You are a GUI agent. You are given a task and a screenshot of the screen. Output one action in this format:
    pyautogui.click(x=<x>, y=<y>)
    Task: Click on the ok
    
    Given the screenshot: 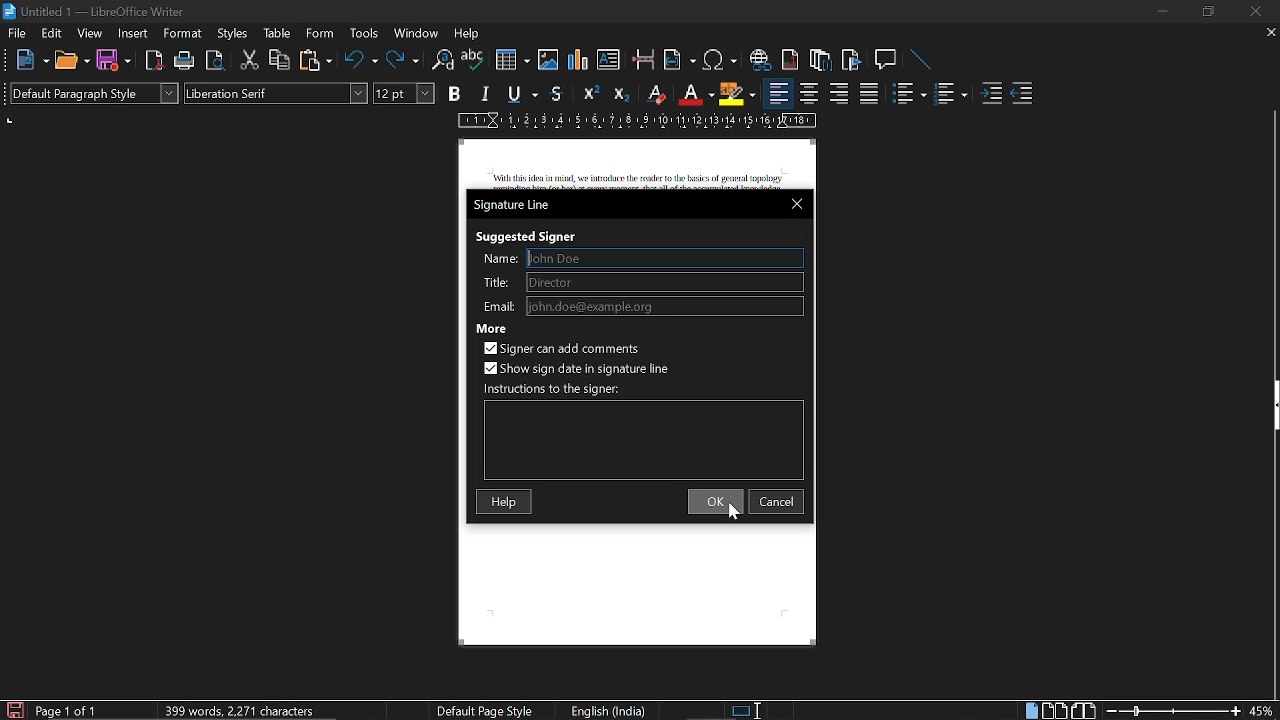 What is the action you would take?
    pyautogui.click(x=715, y=501)
    